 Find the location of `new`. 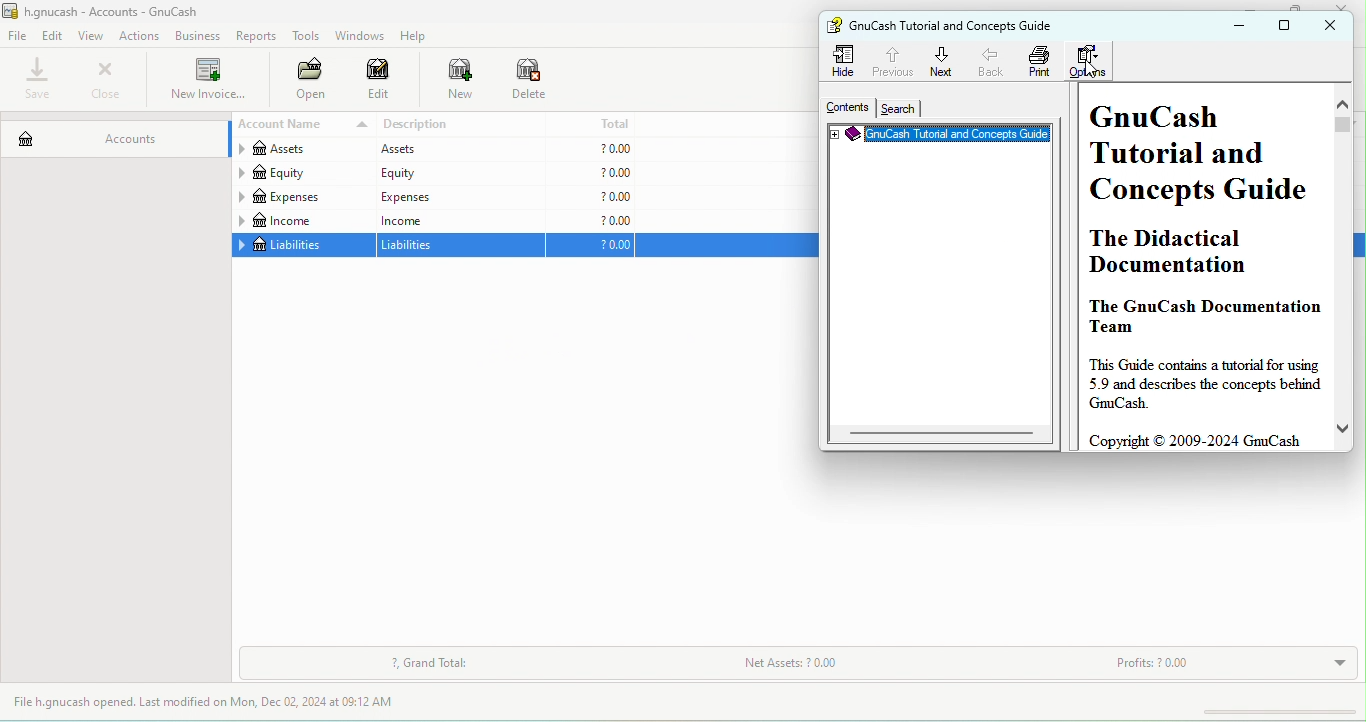

new is located at coordinates (450, 81).